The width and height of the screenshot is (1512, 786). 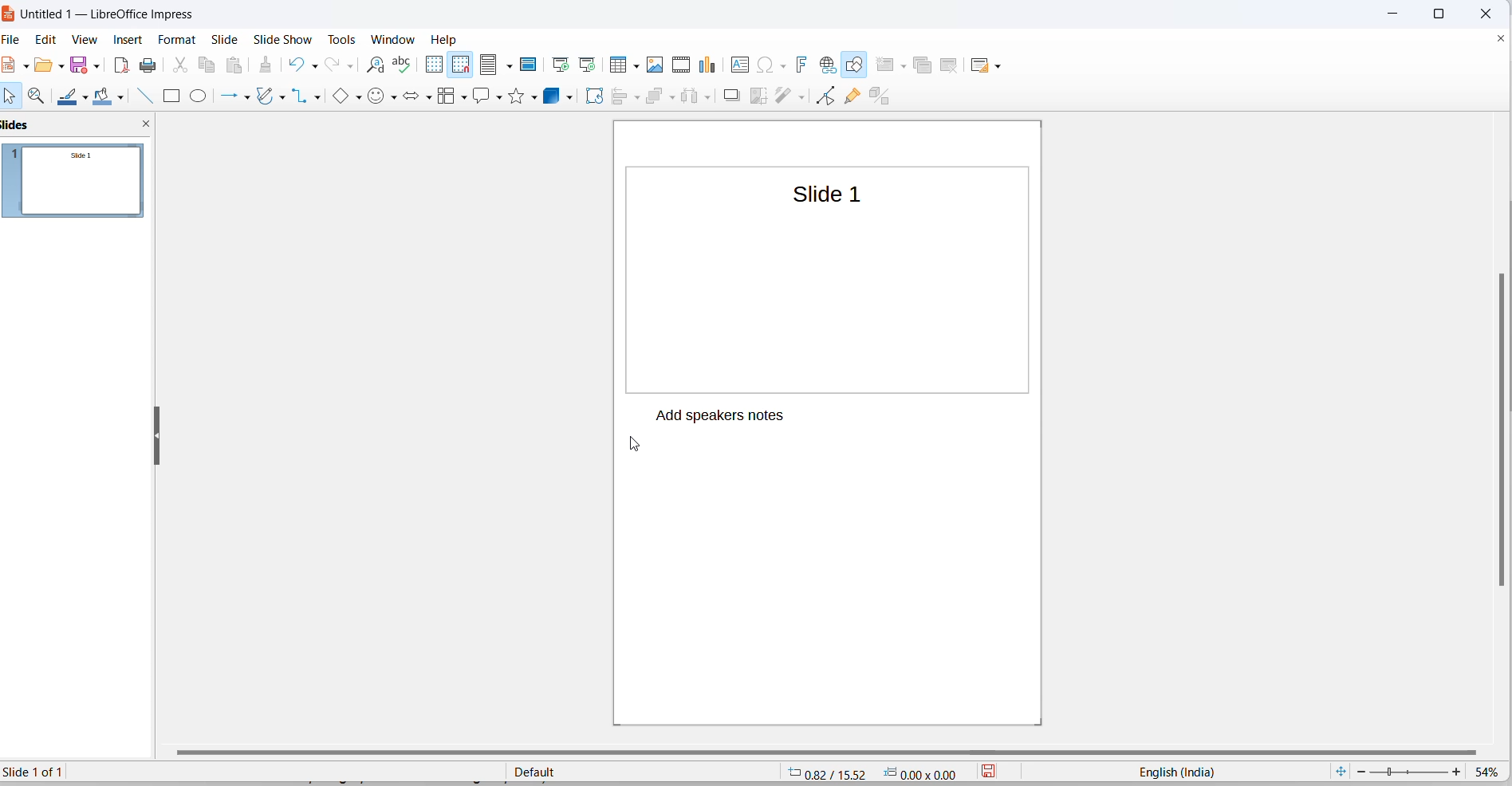 What do you see at coordinates (636, 442) in the screenshot?
I see `cursor` at bounding box center [636, 442].